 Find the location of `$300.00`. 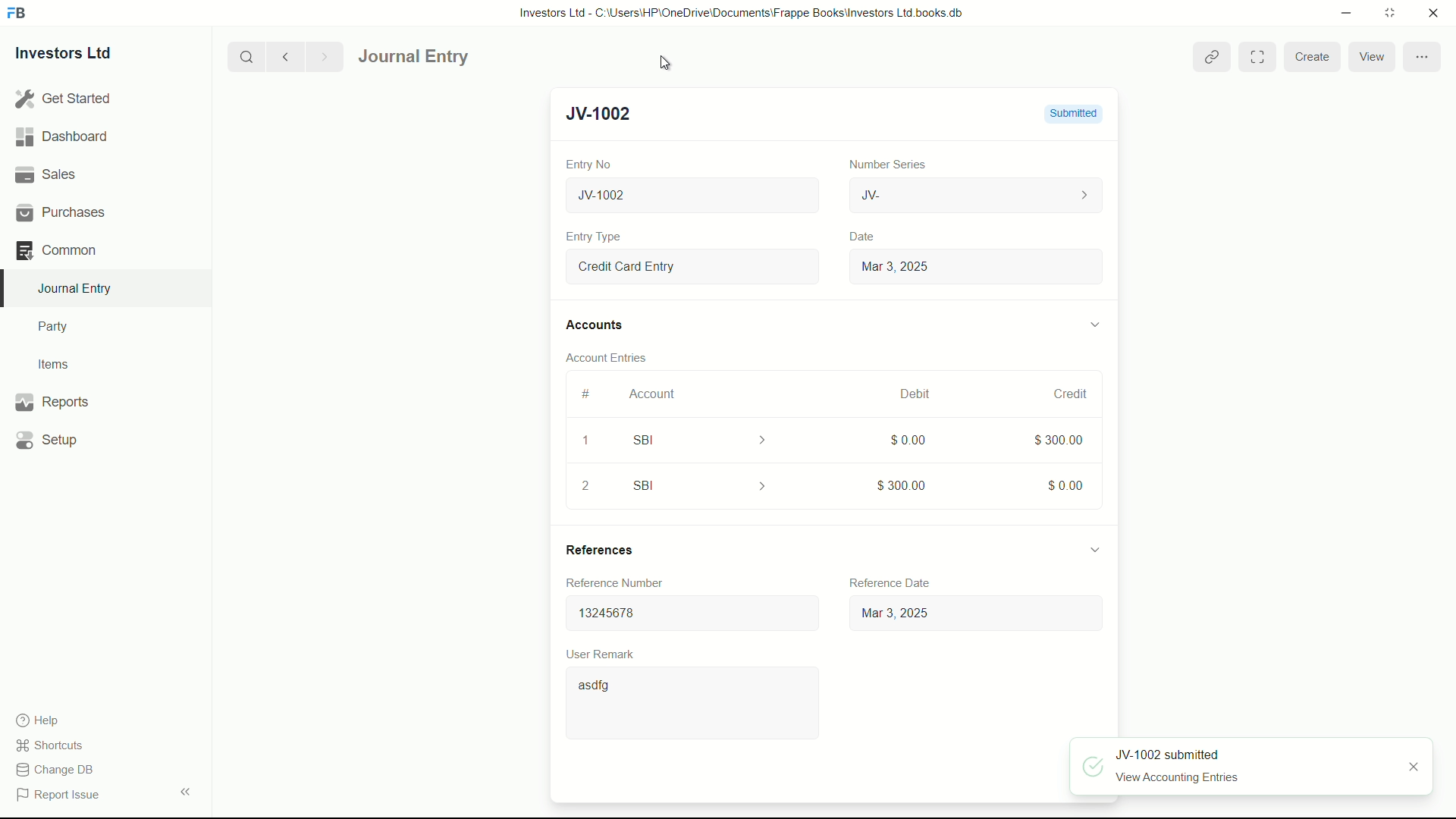

$300.00 is located at coordinates (1060, 438).